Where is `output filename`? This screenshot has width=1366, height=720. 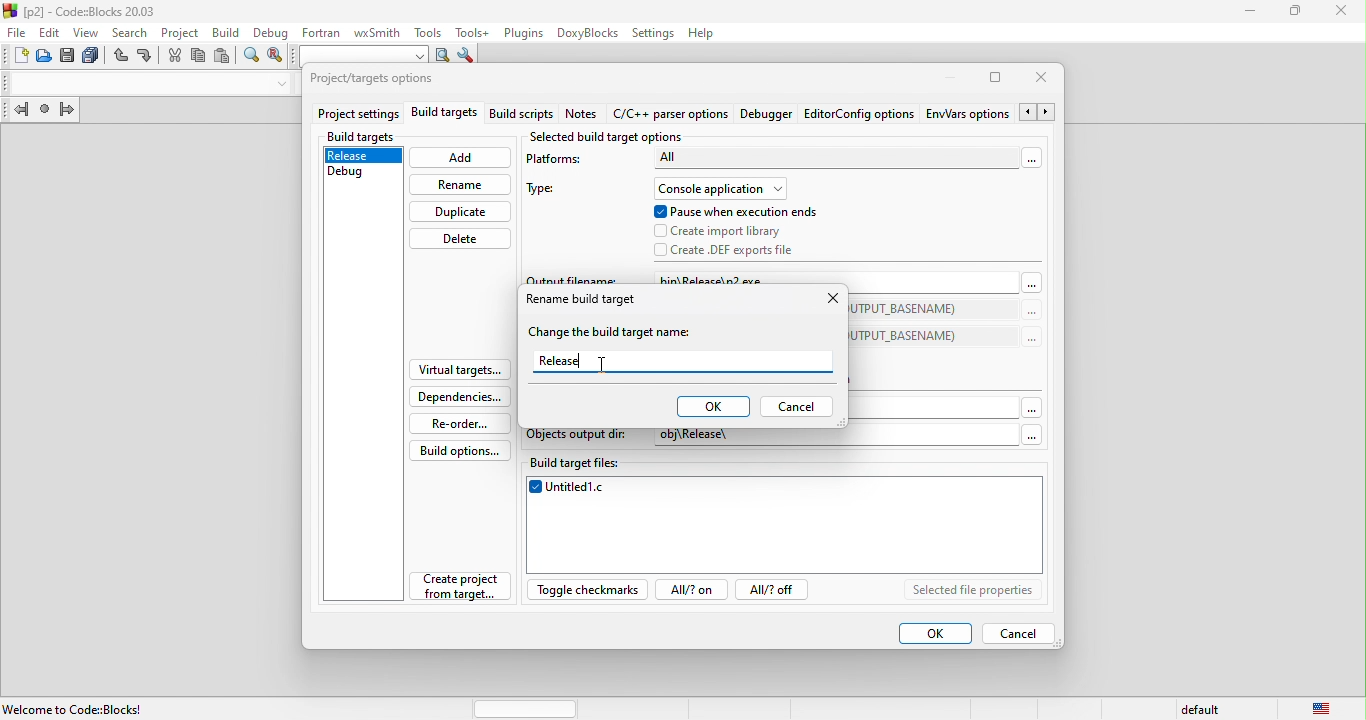 output filename is located at coordinates (572, 278).